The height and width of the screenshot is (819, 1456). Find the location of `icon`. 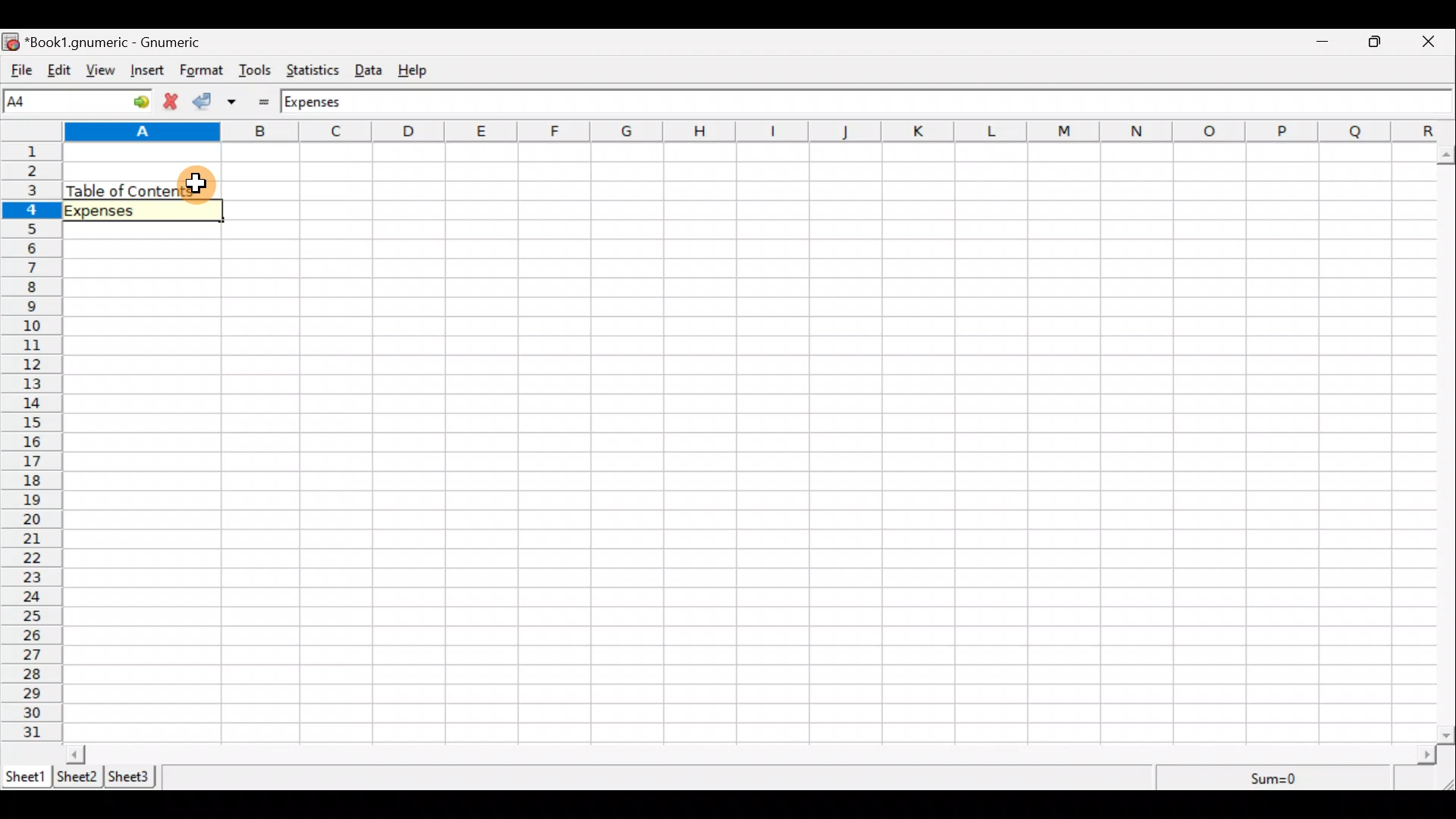

icon is located at coordinates (12, 42).